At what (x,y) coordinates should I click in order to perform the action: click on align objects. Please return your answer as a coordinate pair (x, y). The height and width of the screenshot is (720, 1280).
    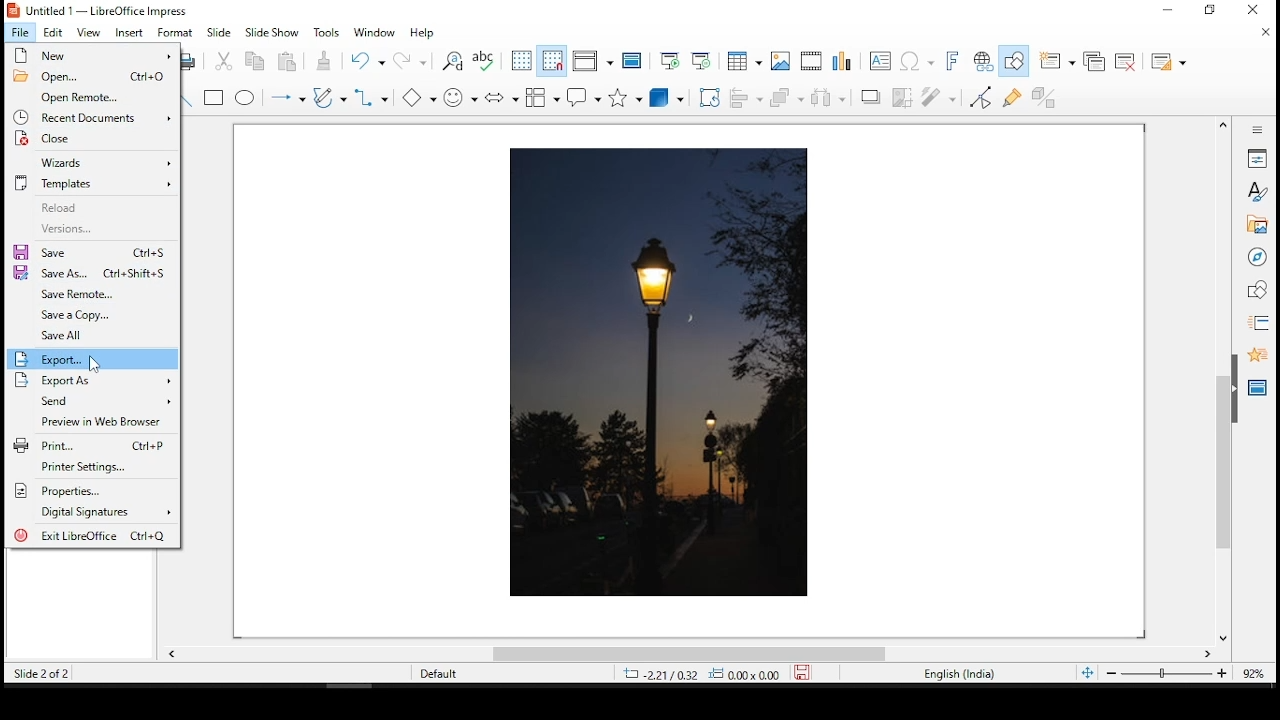
    Looking at the image, I should click on (746, 99).